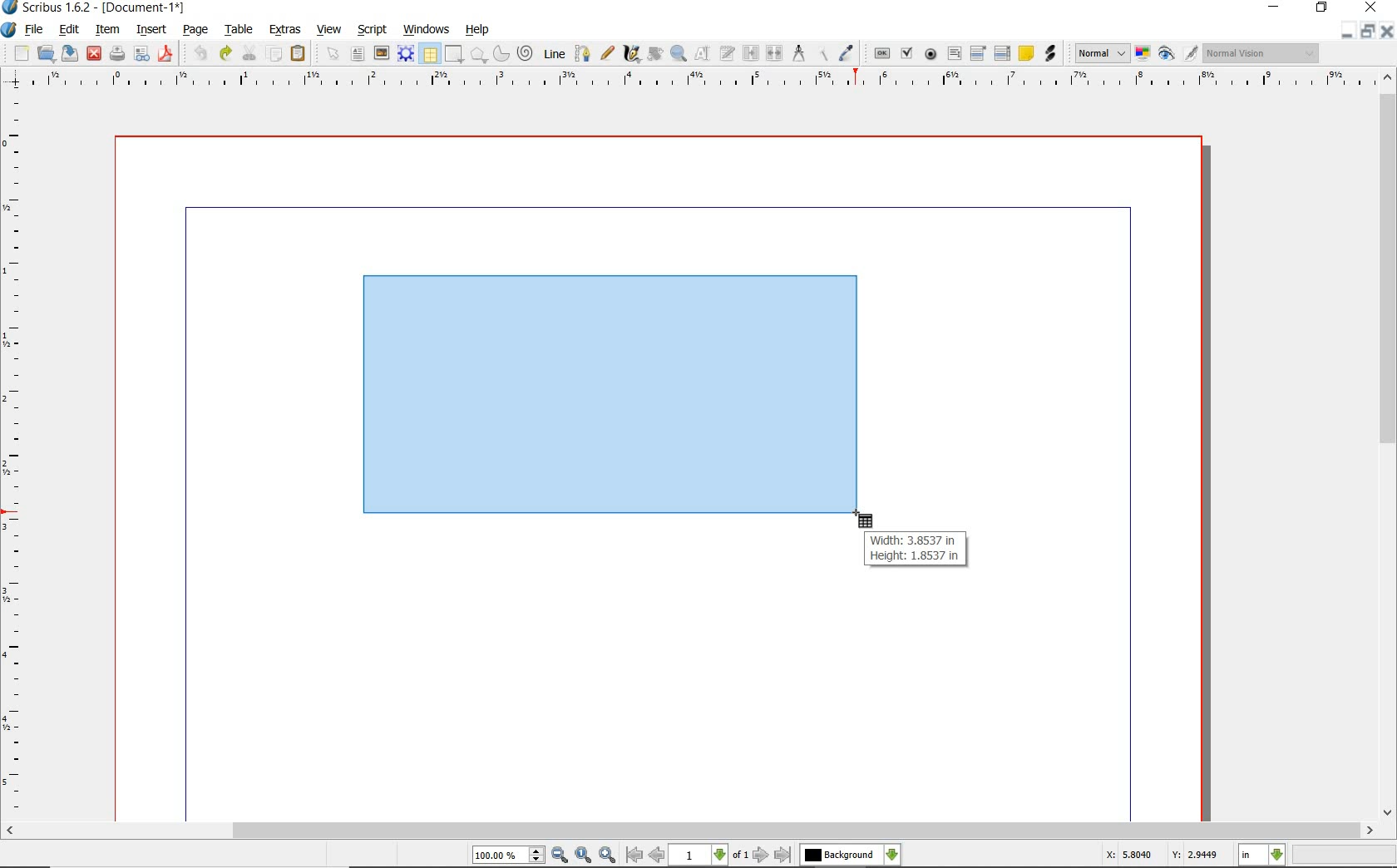 This screenshot has width=1397, height=868. Describe the element at coordinates (406, 52) in the screenshot. I see `render frame` at that location.